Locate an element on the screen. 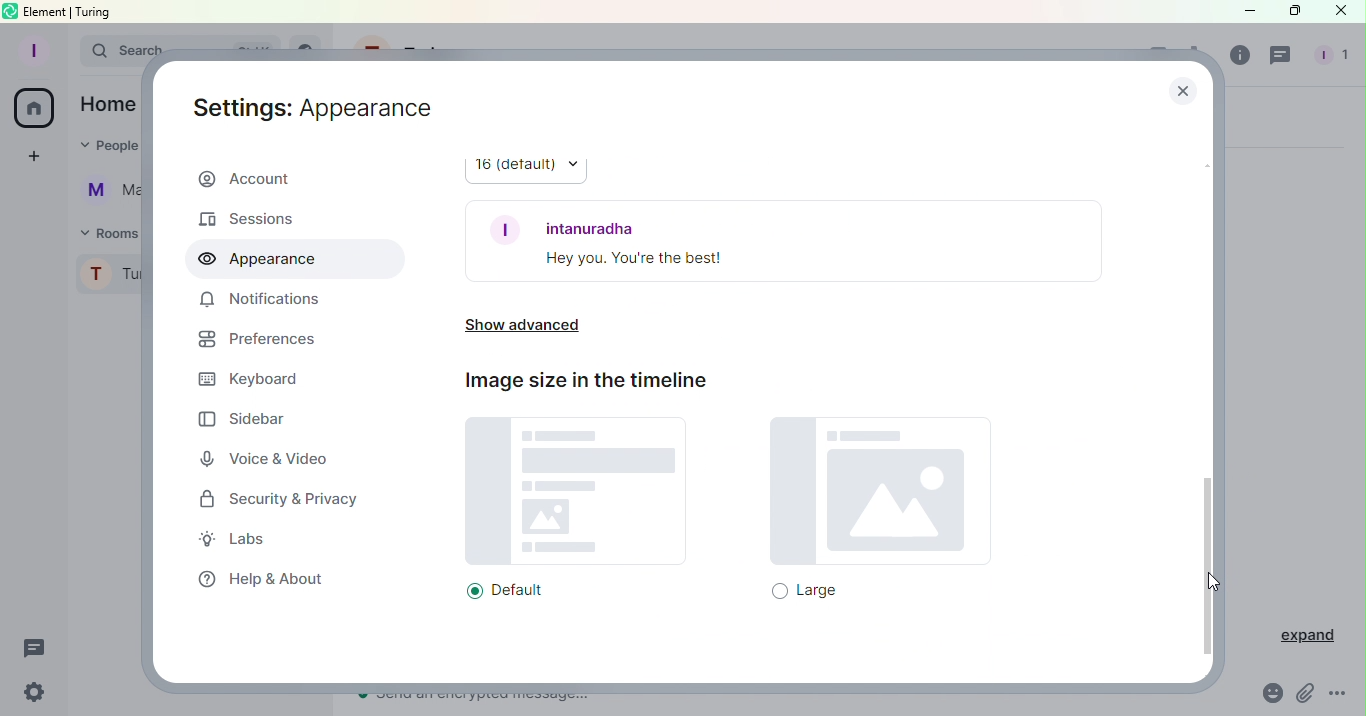 The height and width of the screenshot is (716, 1366). Threads is located at coordinates (1278, 58).